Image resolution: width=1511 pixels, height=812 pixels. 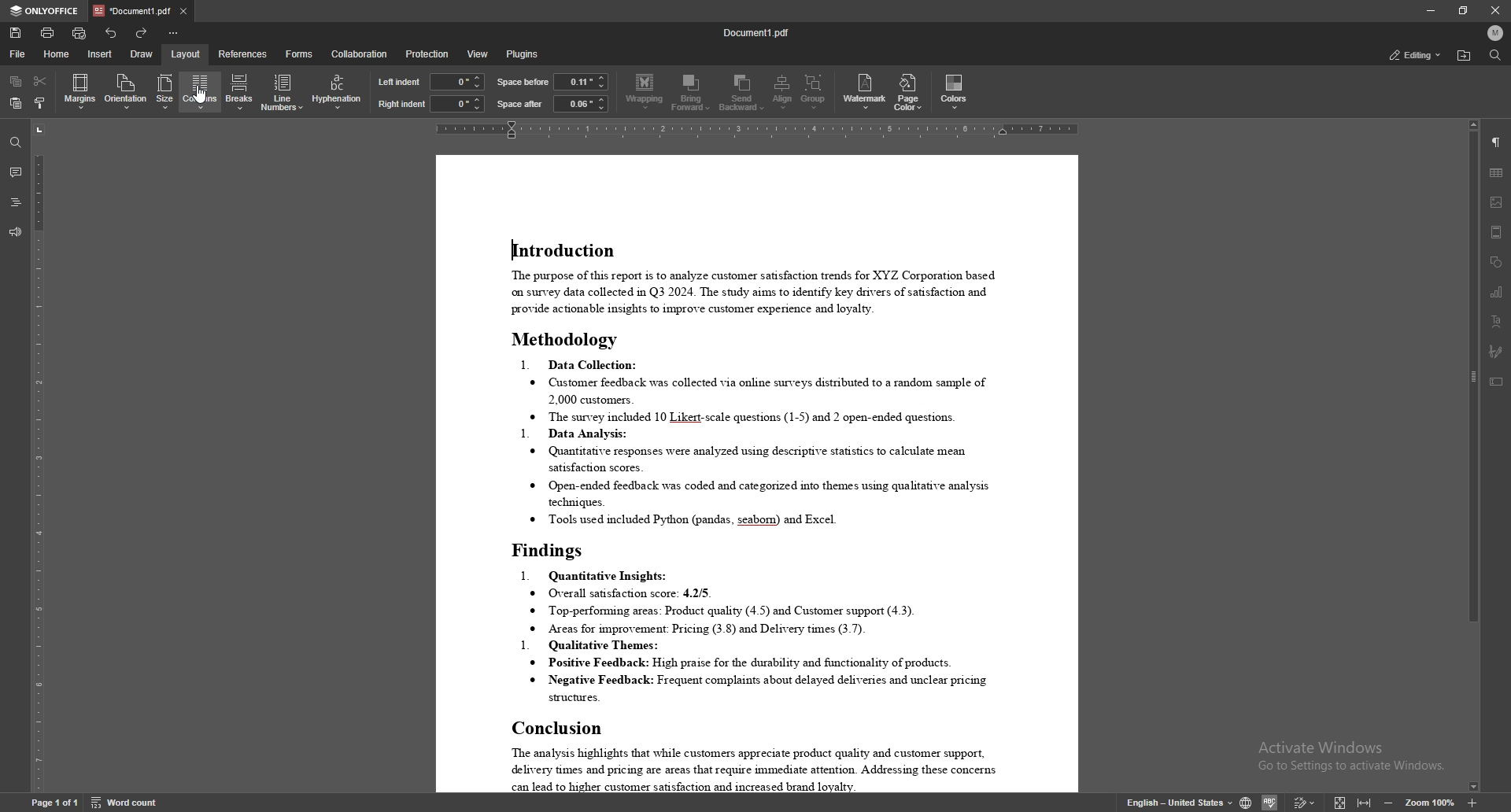 What do you see at coordinates (1272, 802) in the screenshot?
I see `spell check` at bounding box center [1272, 802].